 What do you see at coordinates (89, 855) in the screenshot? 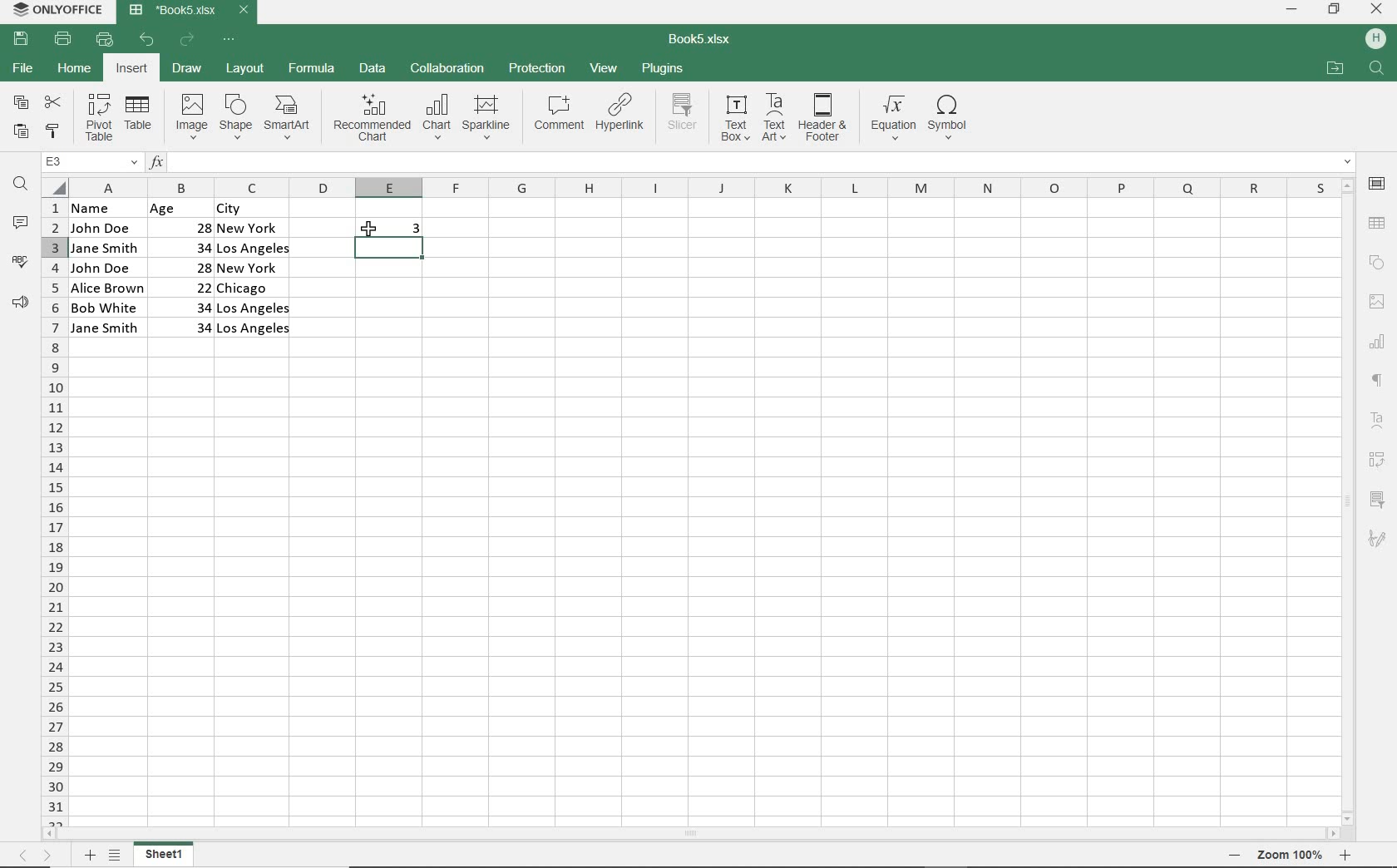
I see `ADD SHEETS` at bounding box center [89, 855].